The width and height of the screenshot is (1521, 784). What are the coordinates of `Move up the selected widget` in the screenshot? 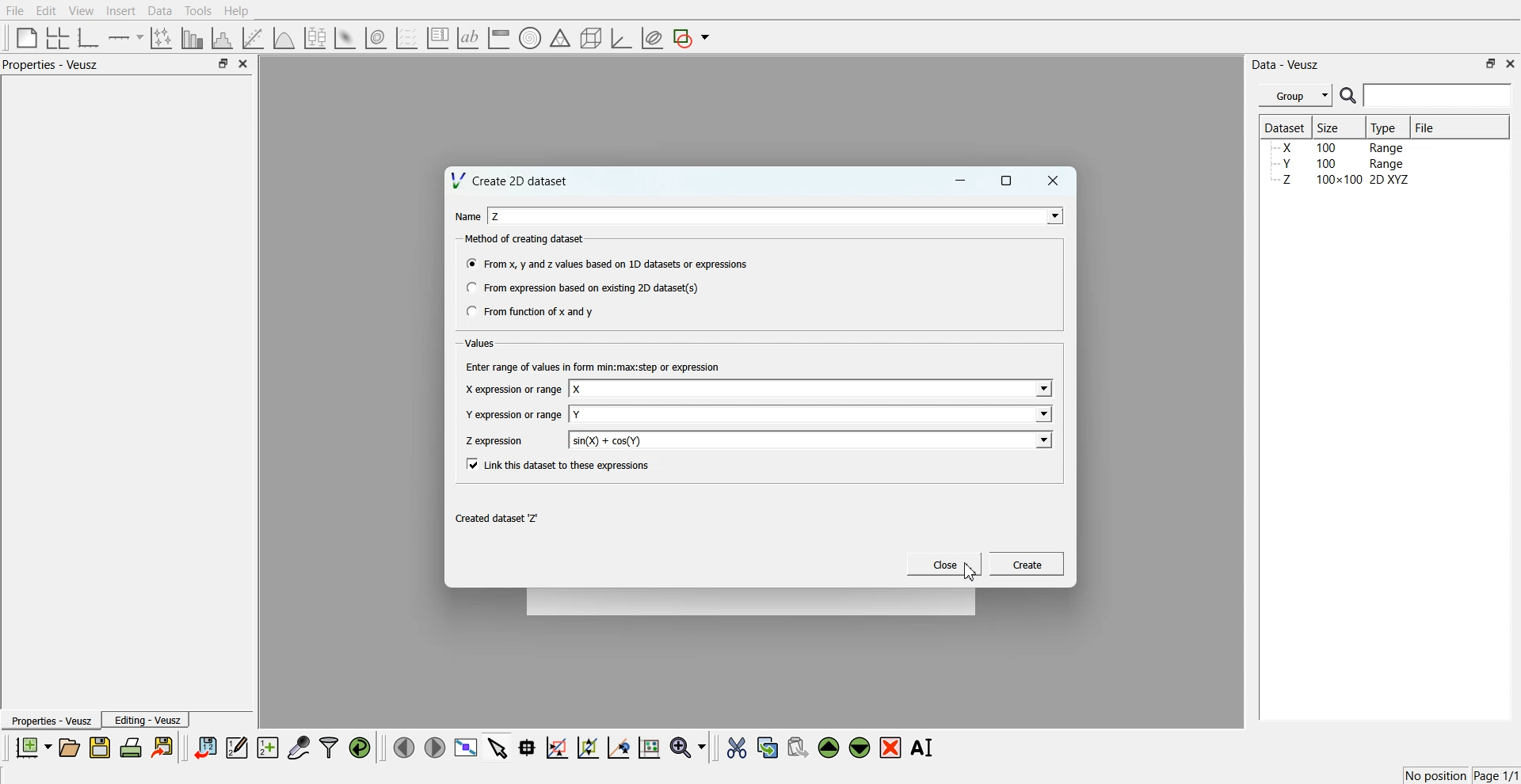 It's located at (829, 748).